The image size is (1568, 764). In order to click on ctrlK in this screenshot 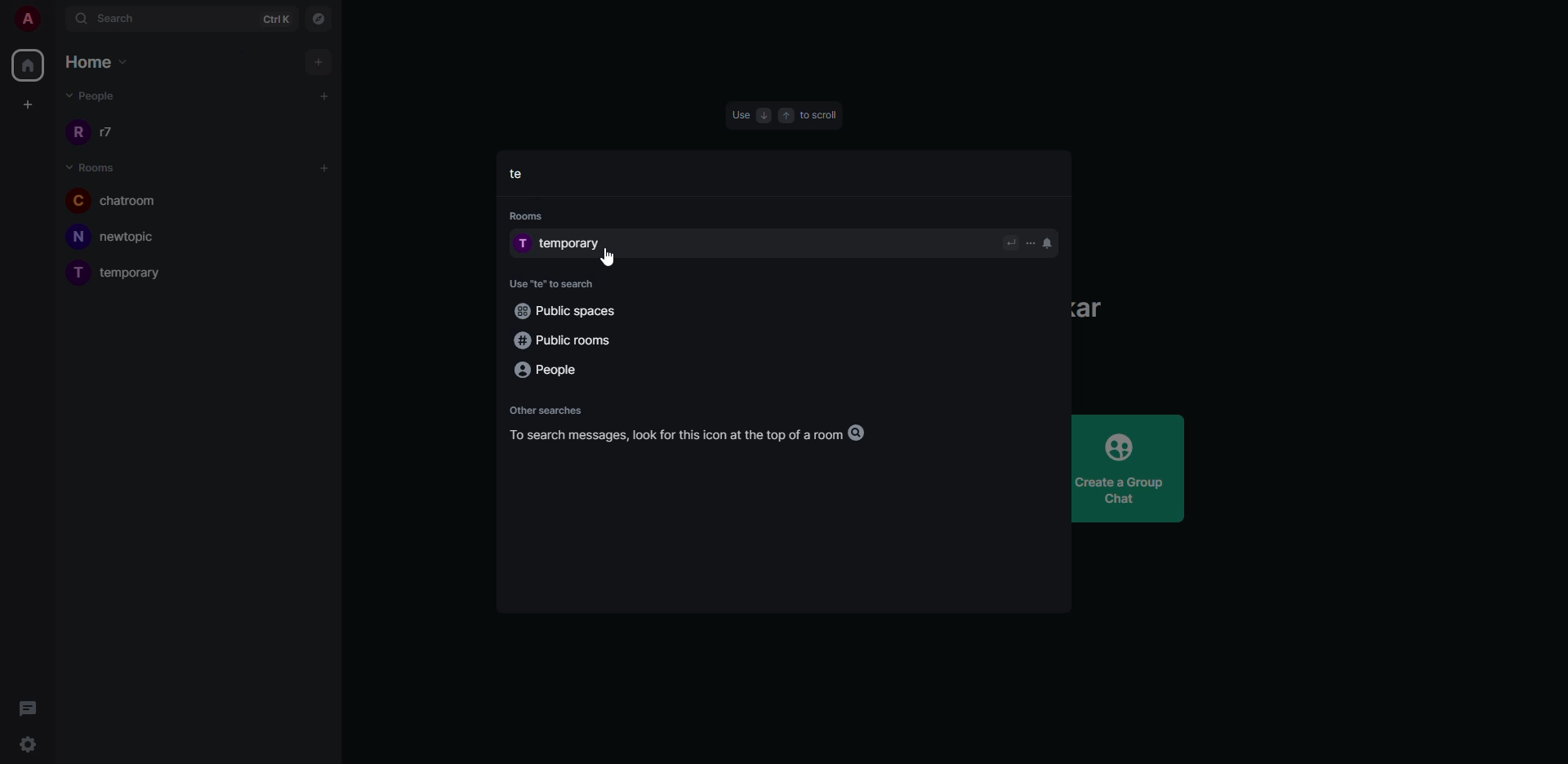, I will do `click(275, 18)`.